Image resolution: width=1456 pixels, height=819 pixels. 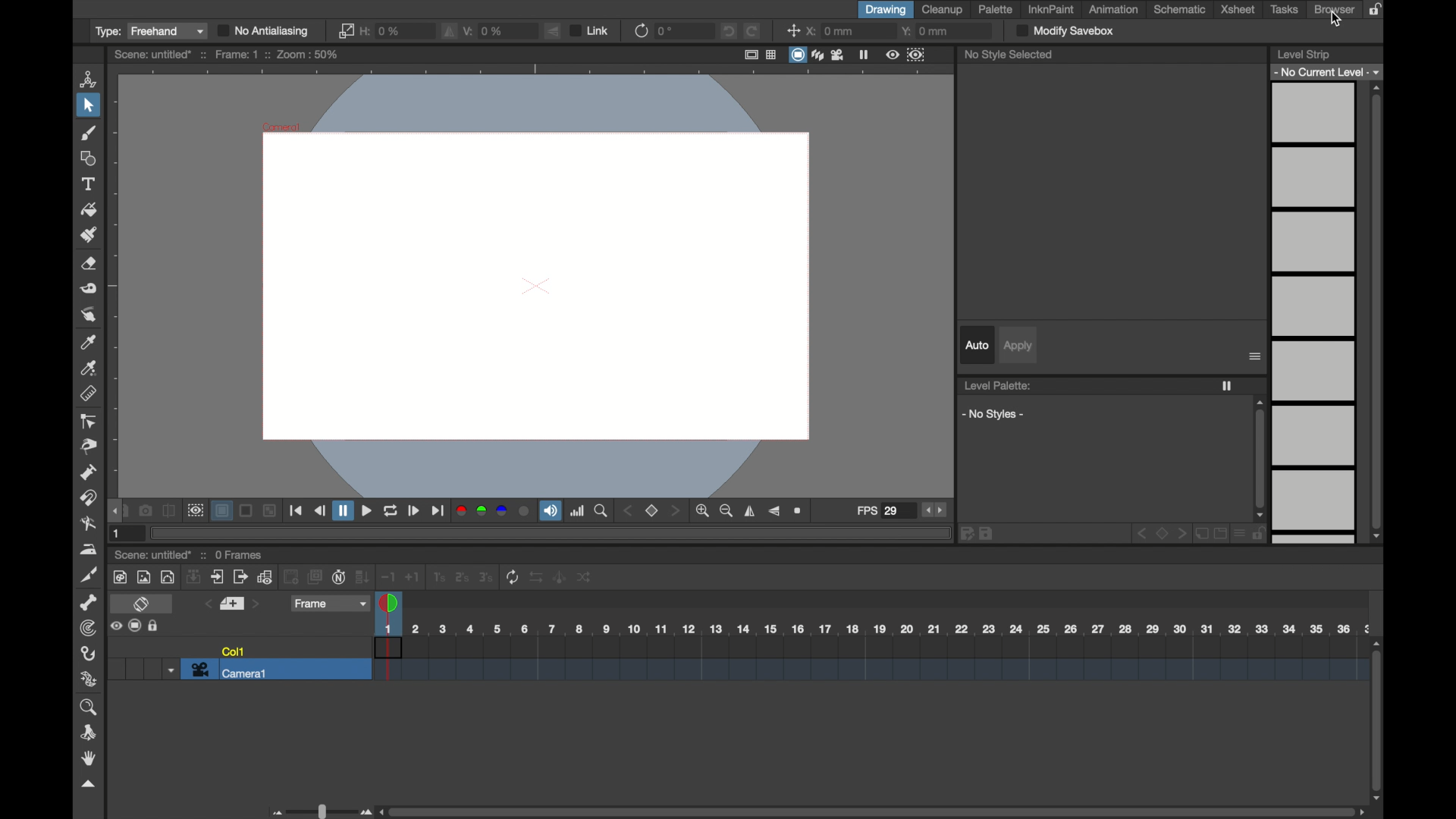 I want to click on blender tool, so click(x=86, y=524).